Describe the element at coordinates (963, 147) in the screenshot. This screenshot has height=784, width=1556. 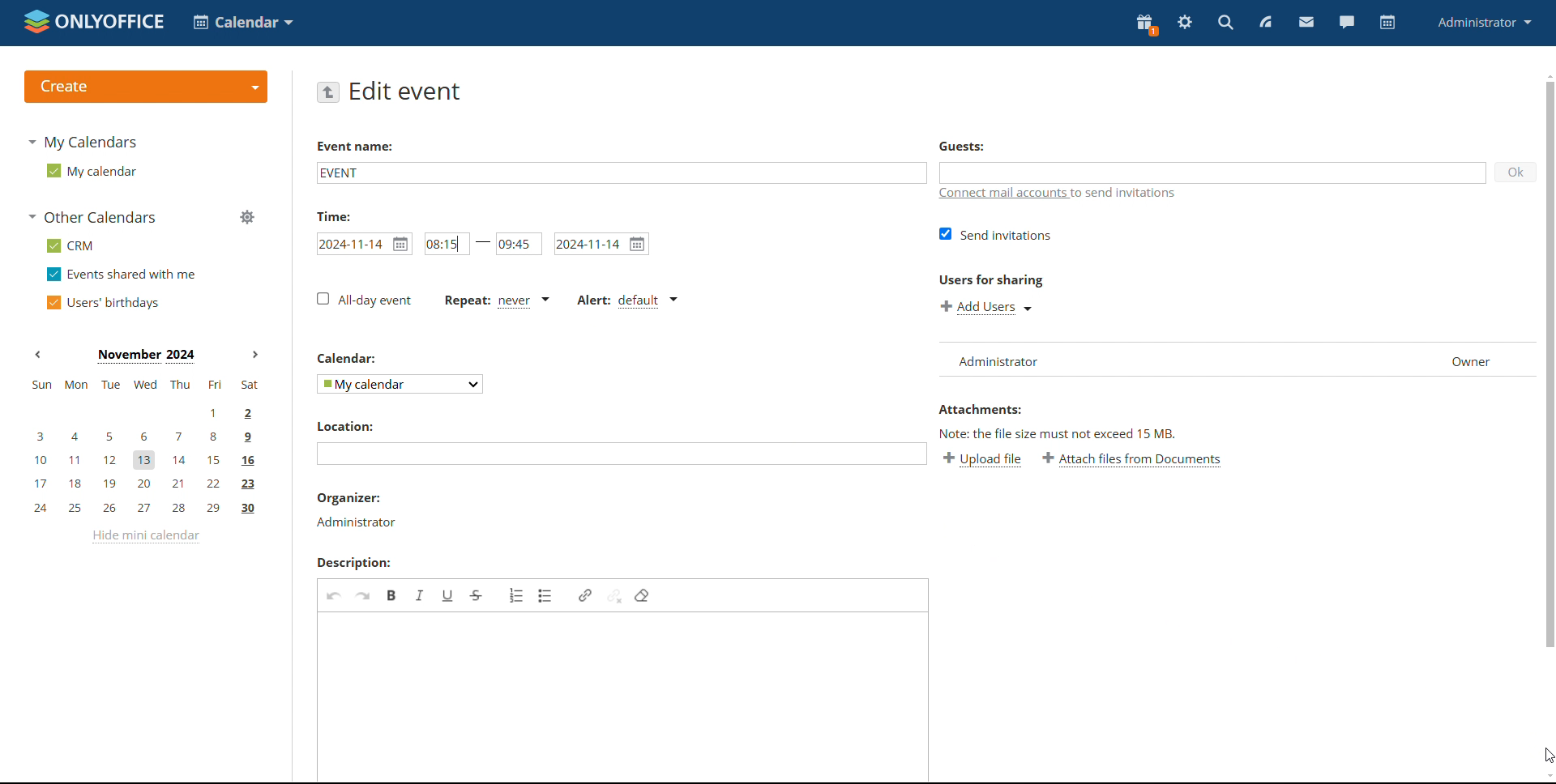
I see `guests` at that location.